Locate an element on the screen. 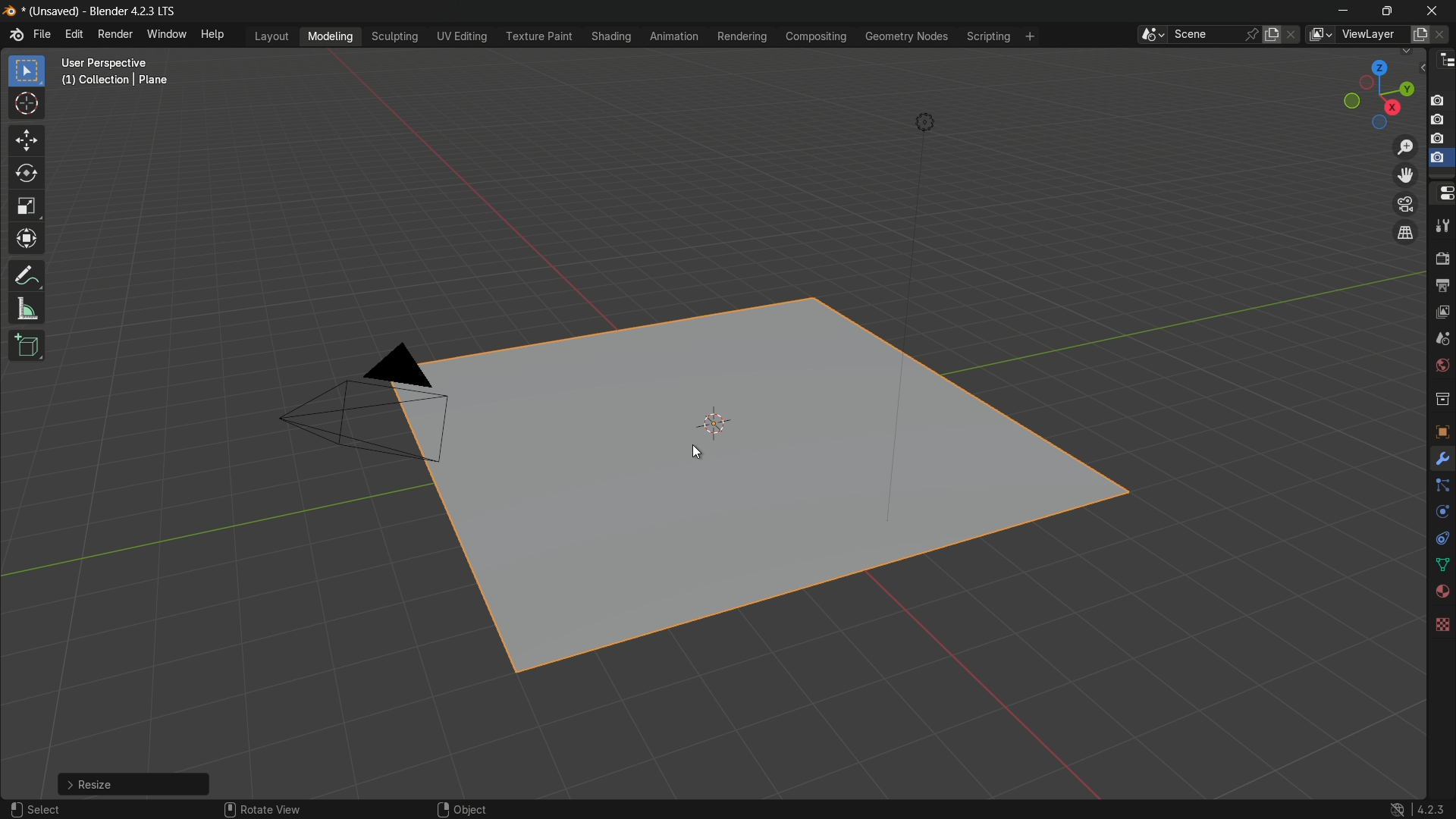 The image size is (1456, 819). remove view layer is located at coordinates (1442, 36).